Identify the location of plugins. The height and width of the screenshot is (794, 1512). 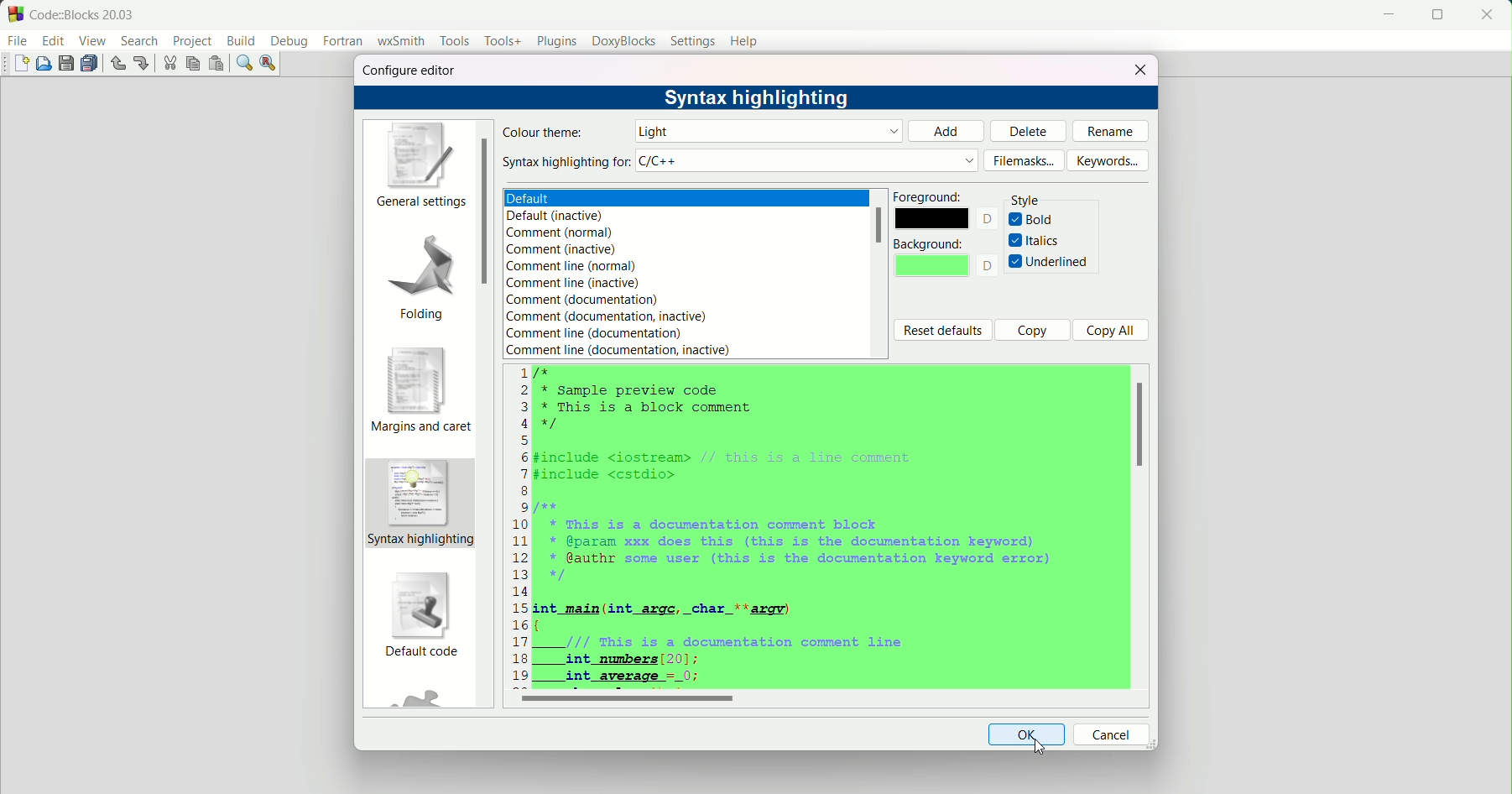
(553, 40).